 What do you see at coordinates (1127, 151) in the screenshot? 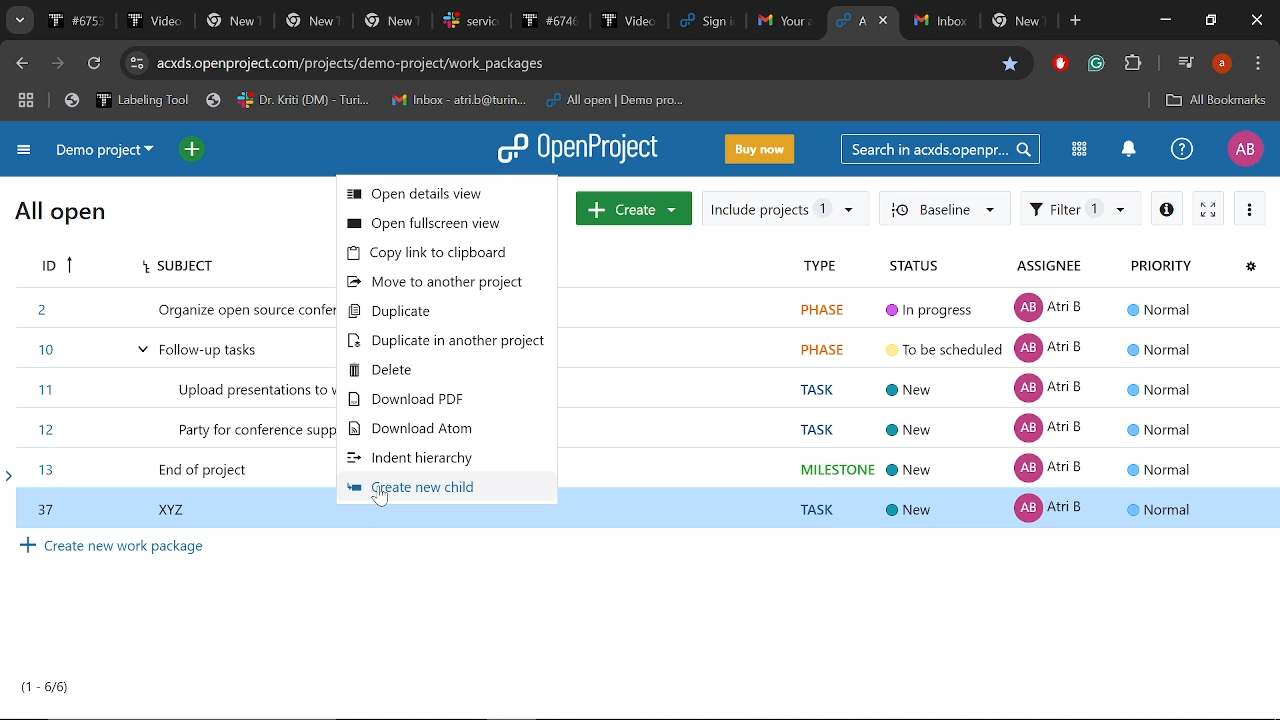
I see `Notification` at bounding box center [1127, 151].